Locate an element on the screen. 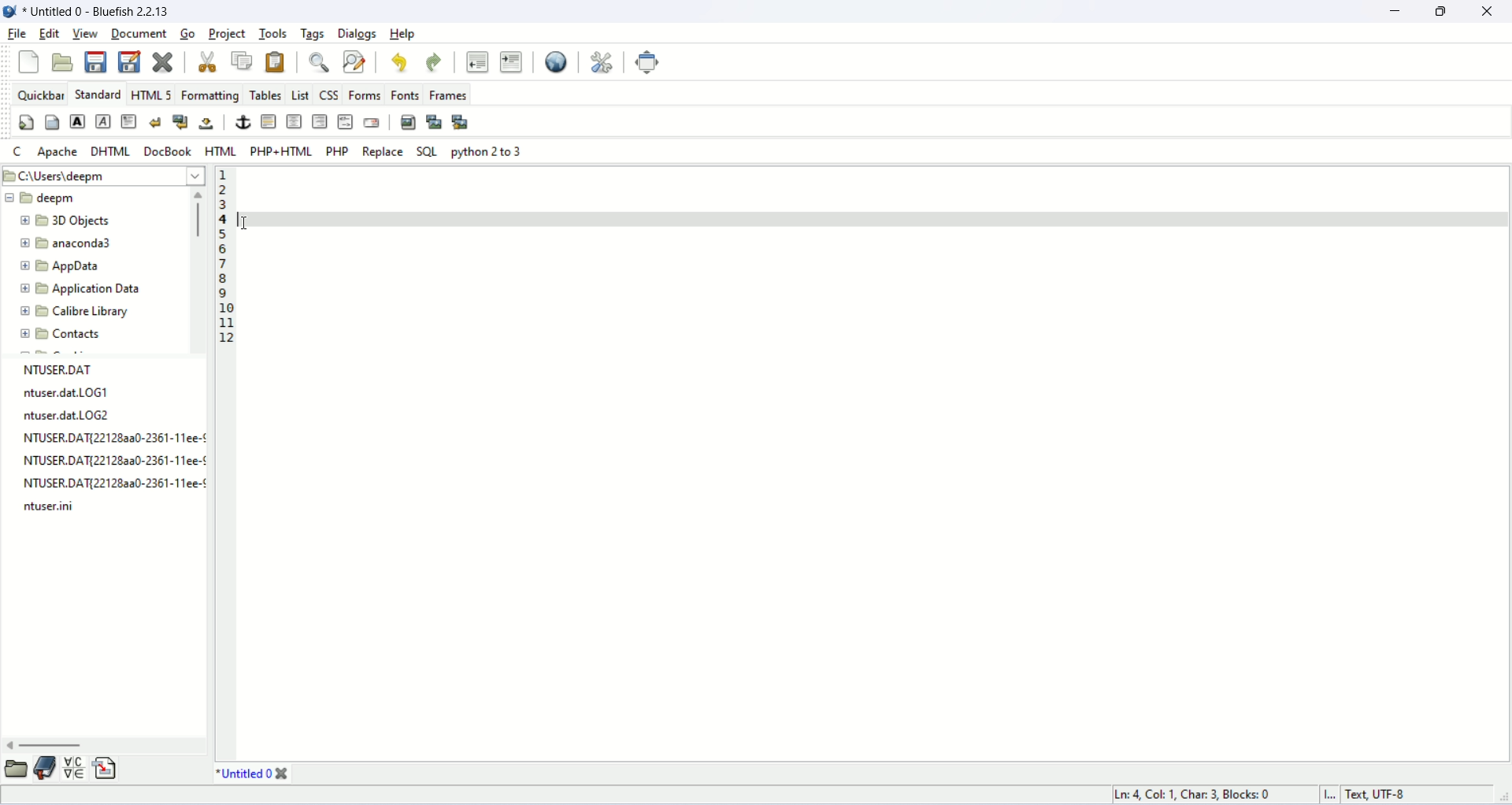 Image resolution: width=1512 pixels, height=805 pixels. quick bar is located at coordinates (38, 92).